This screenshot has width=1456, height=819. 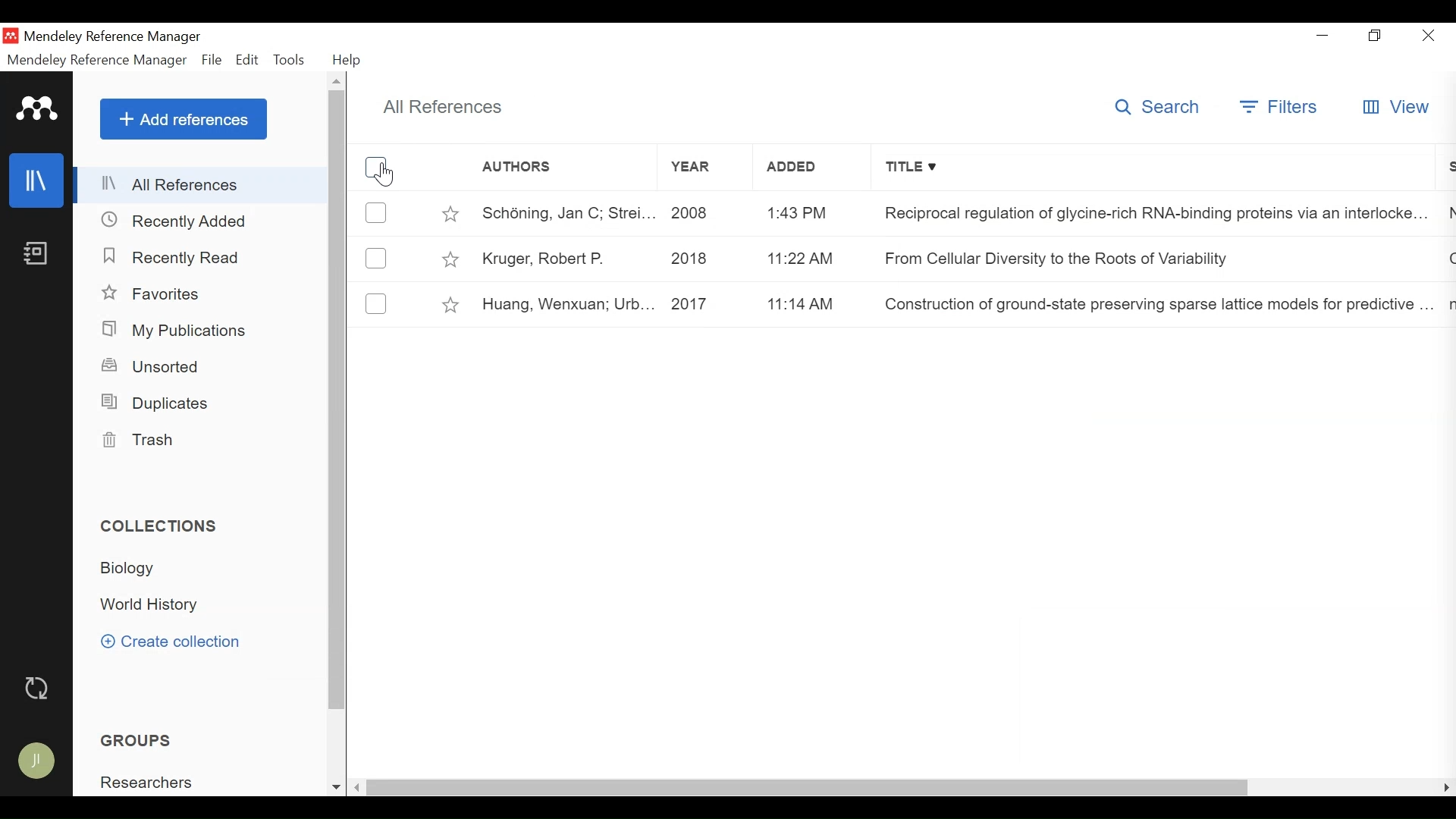 What do you see at coordinates (133, 569) in the screenshot?
I see `Collection` at bounding box center [133, 569].